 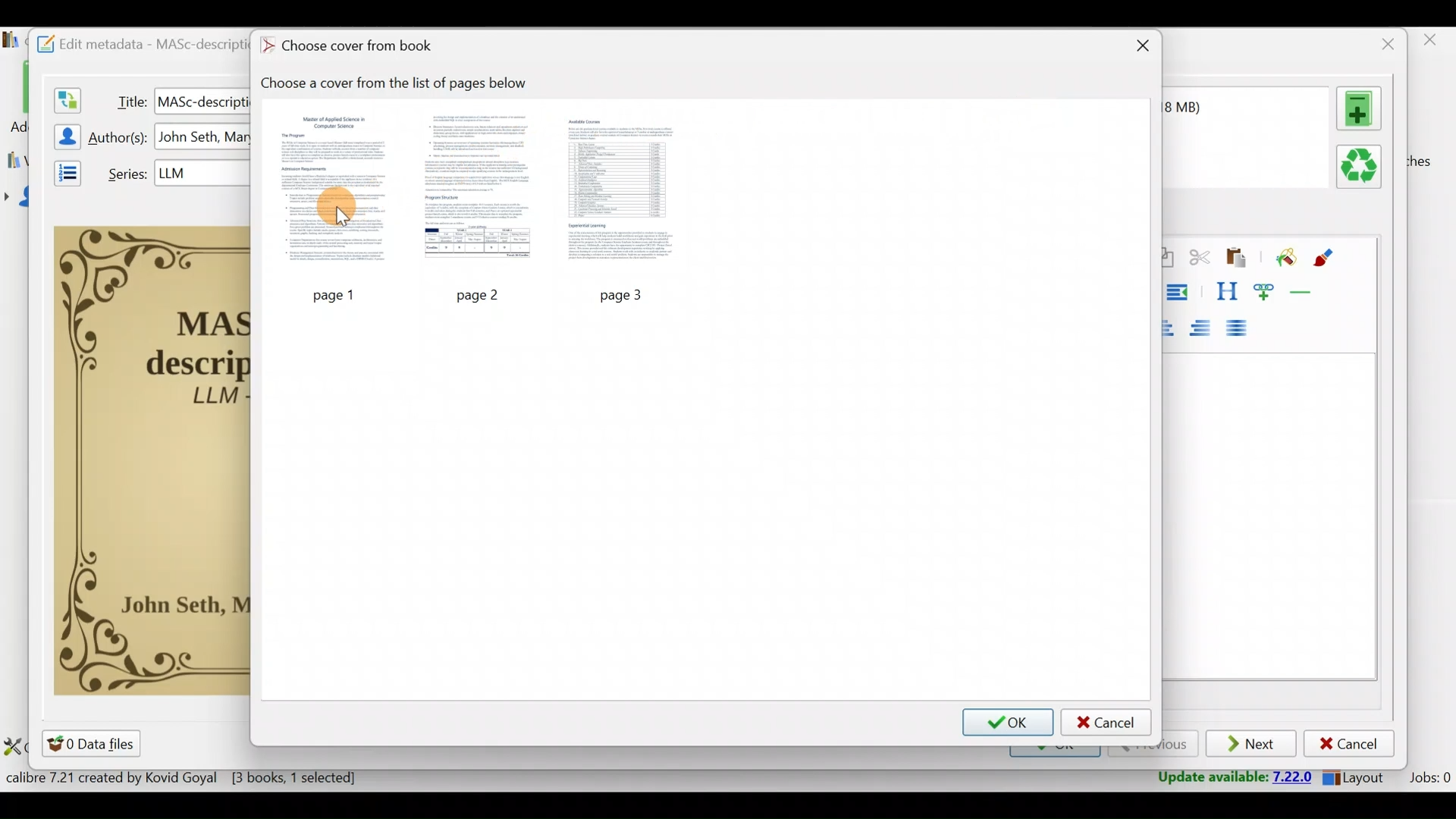 I want to click on Choose a cover from the list of pages below, so click(x=402, y=83).